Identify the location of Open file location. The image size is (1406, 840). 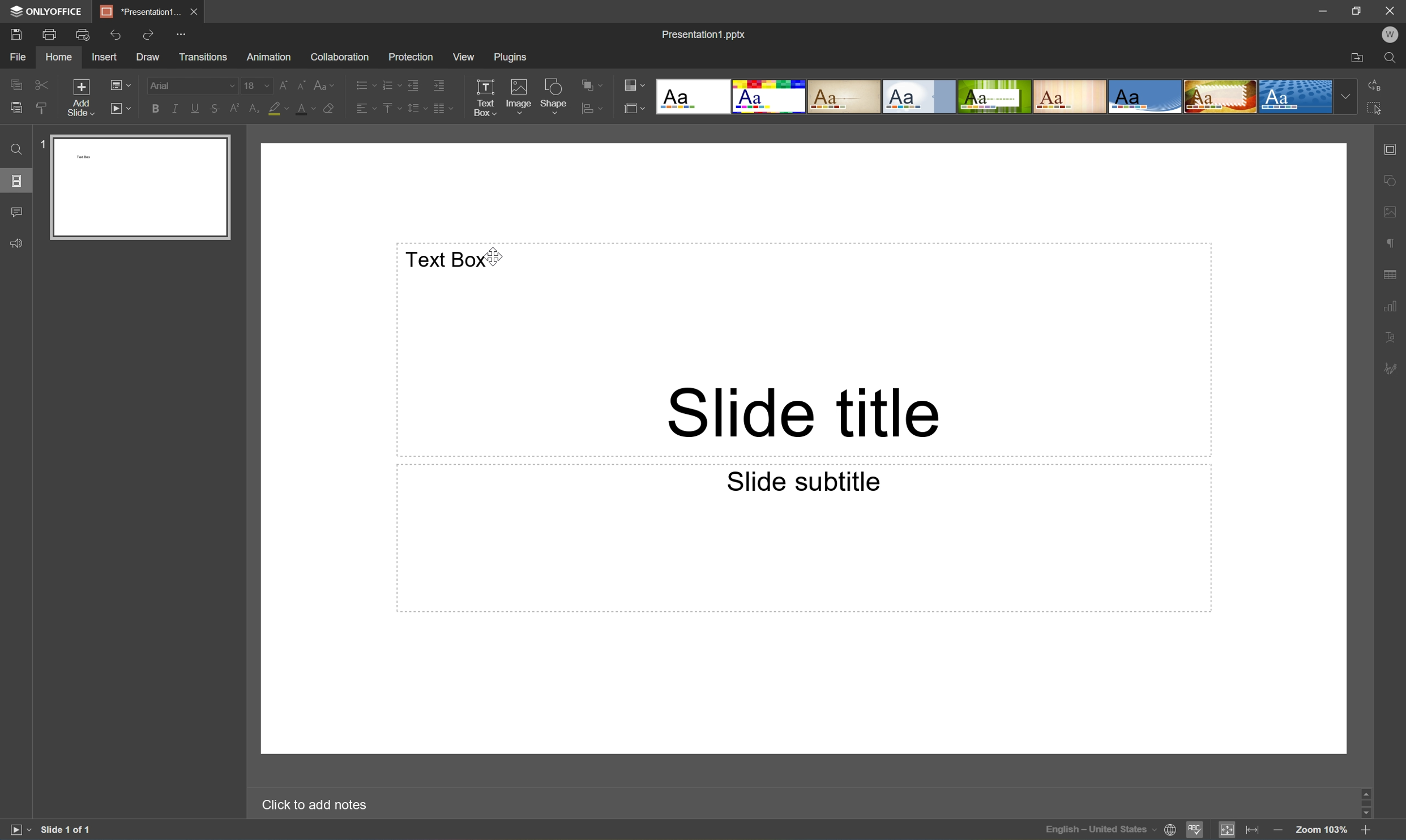
(1358, 57).